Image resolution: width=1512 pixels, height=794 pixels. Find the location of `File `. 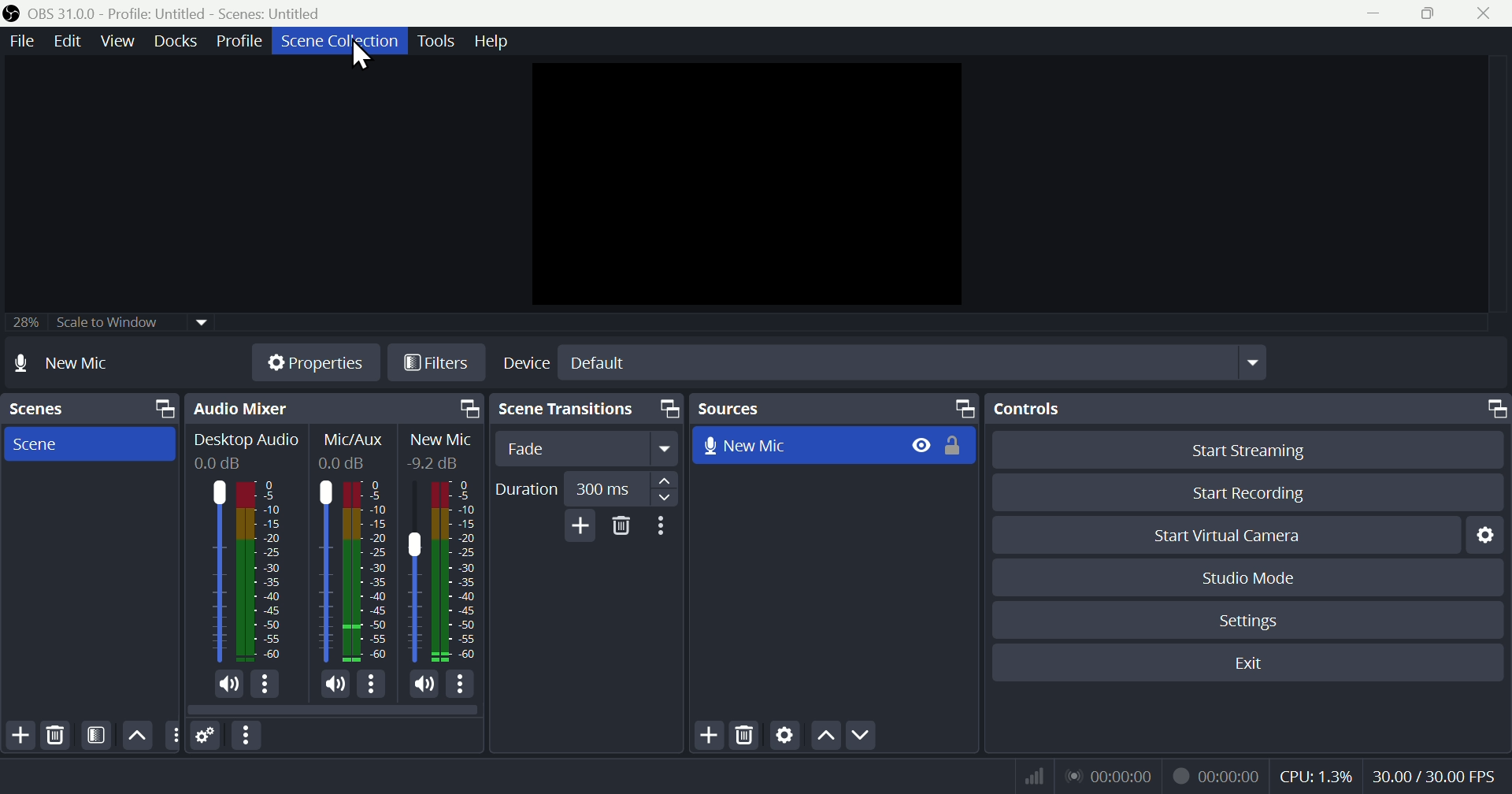

File  is located at coordinates (19, 40).